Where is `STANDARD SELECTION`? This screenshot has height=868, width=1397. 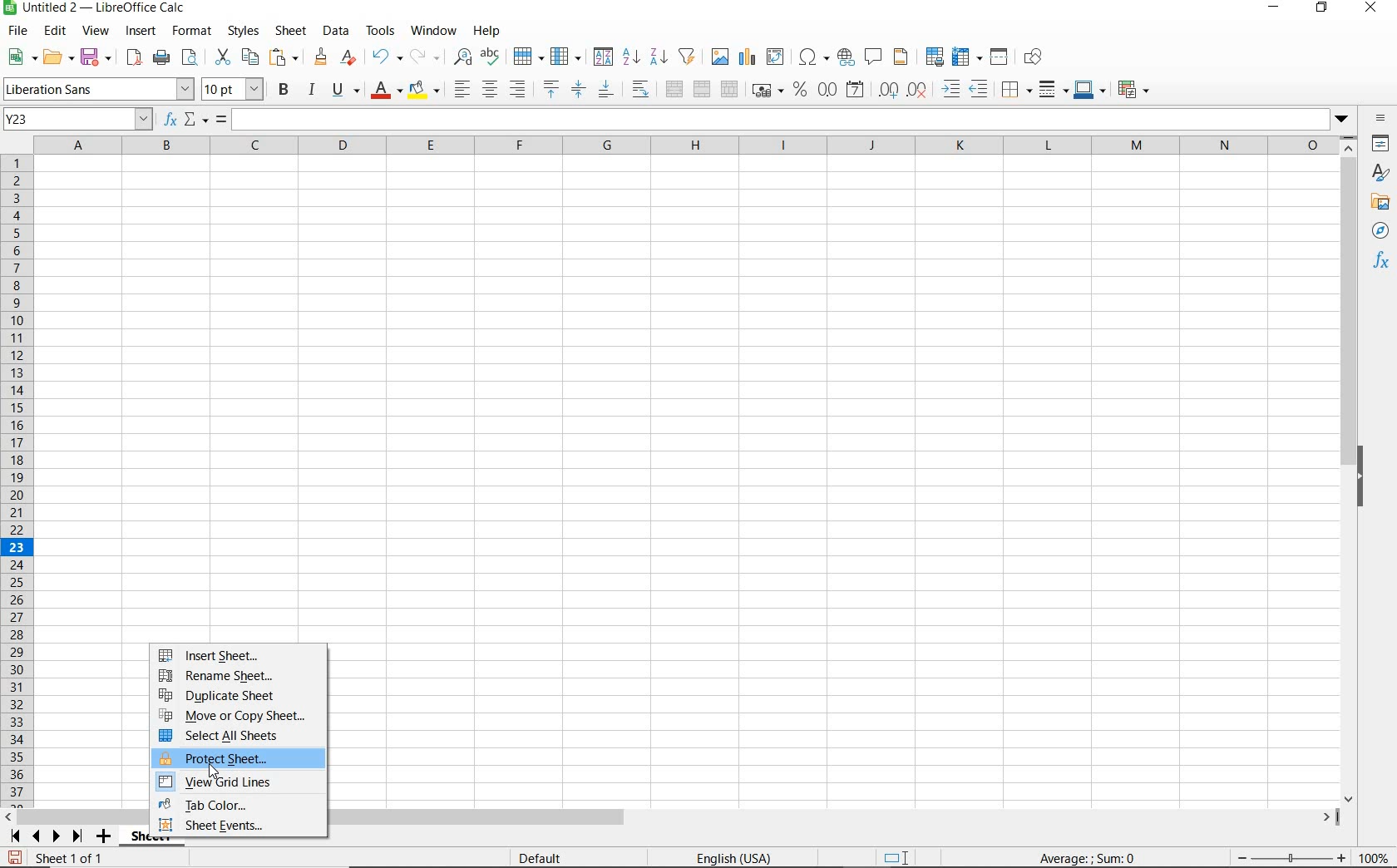
STANDARD SELECTION is located at coordinates (897, 858).